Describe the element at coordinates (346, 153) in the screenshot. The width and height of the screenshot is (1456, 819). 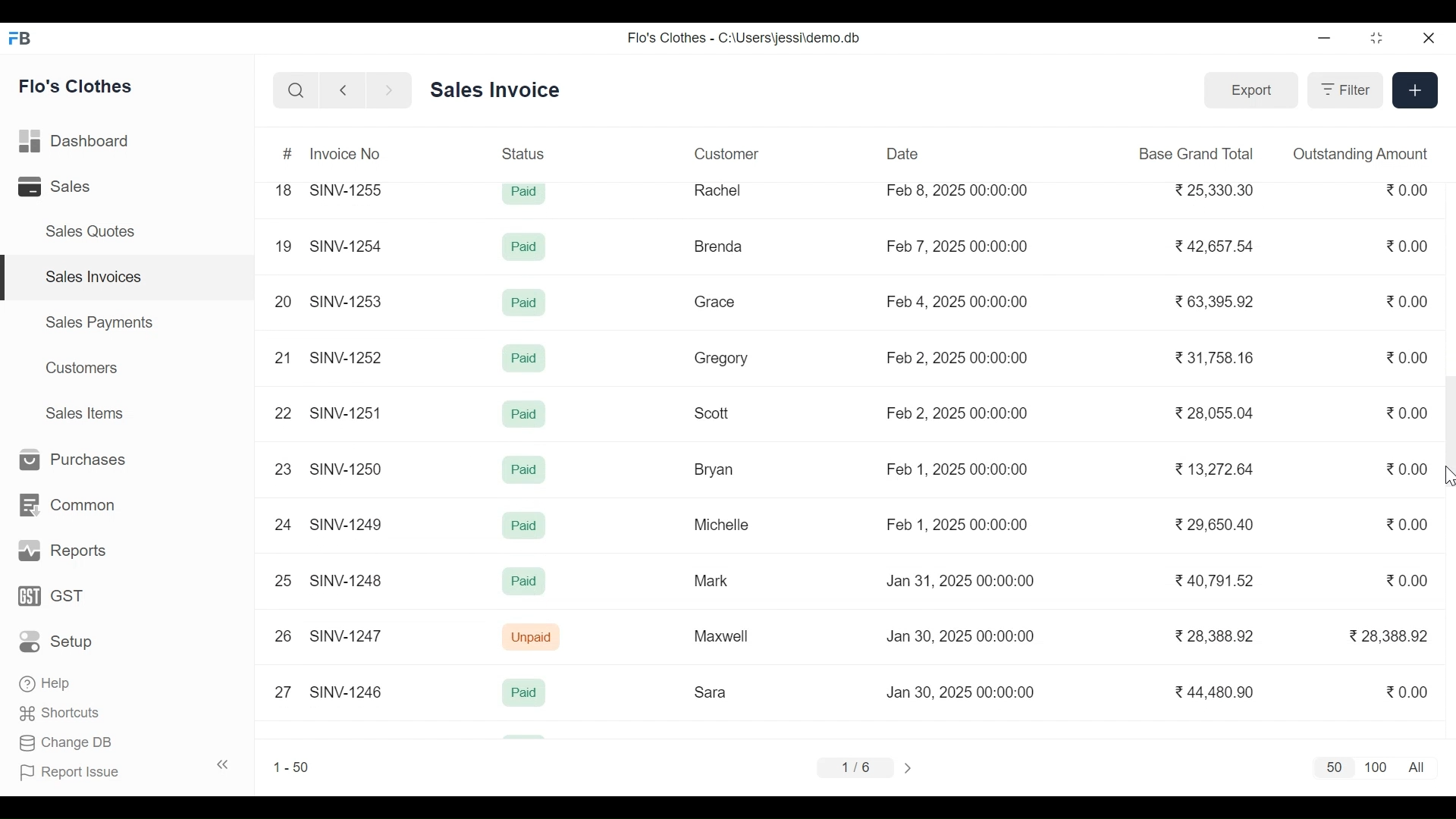
I see `Invoice No` at that location.